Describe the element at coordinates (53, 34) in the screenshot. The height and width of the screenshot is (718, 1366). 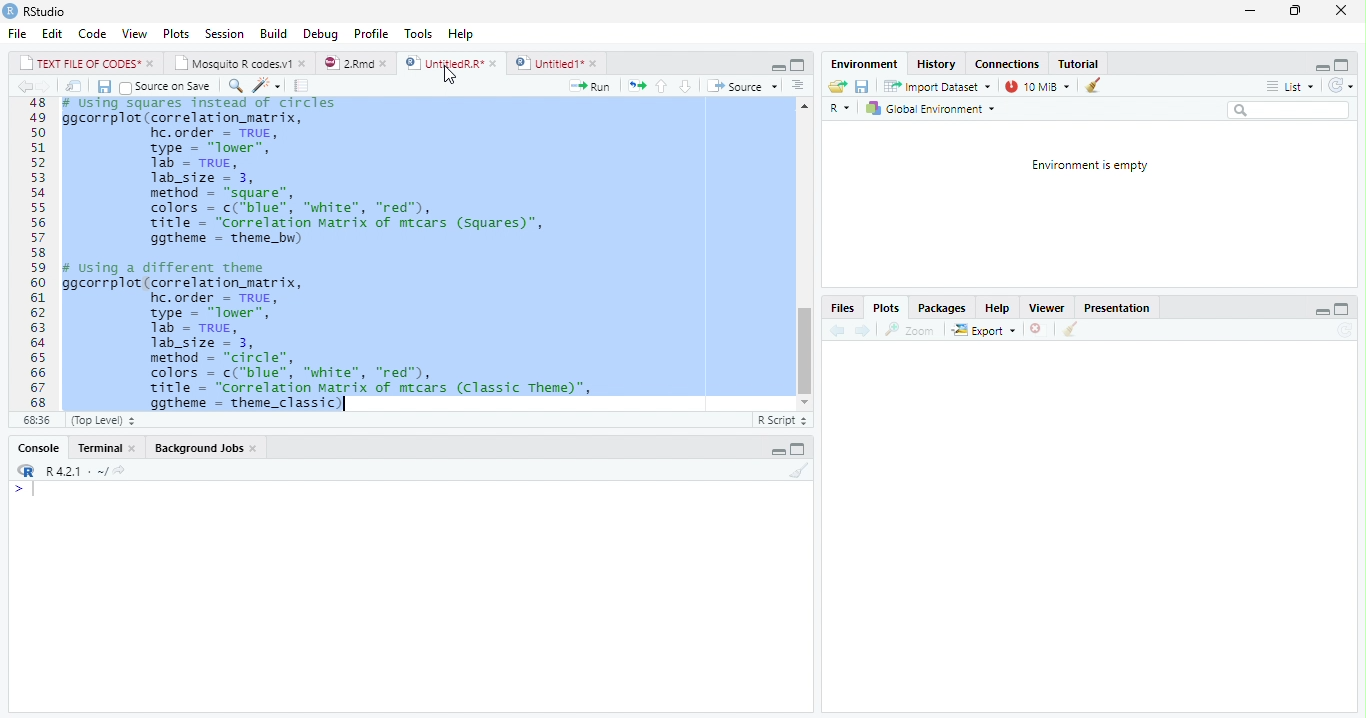
I see `Edit` at that location.